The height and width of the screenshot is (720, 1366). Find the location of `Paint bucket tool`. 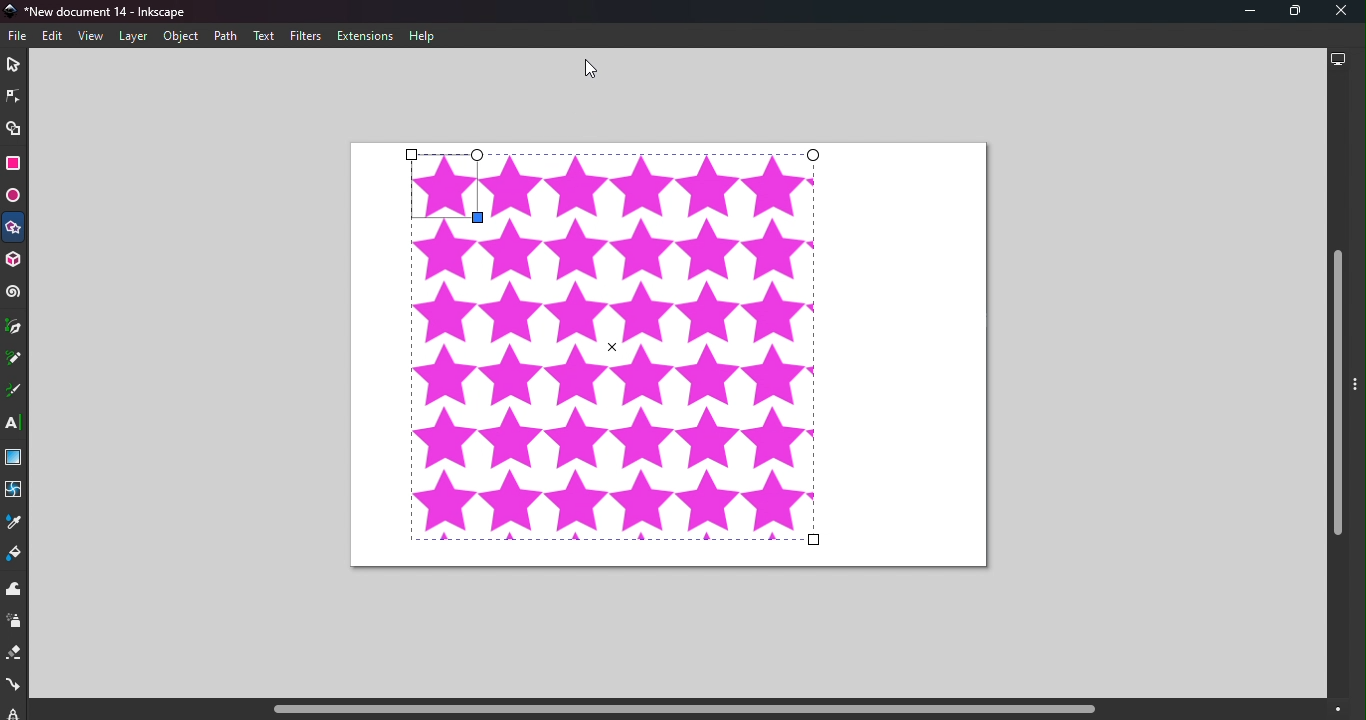

Paint bucket tool is located at coordinates (16, 556).